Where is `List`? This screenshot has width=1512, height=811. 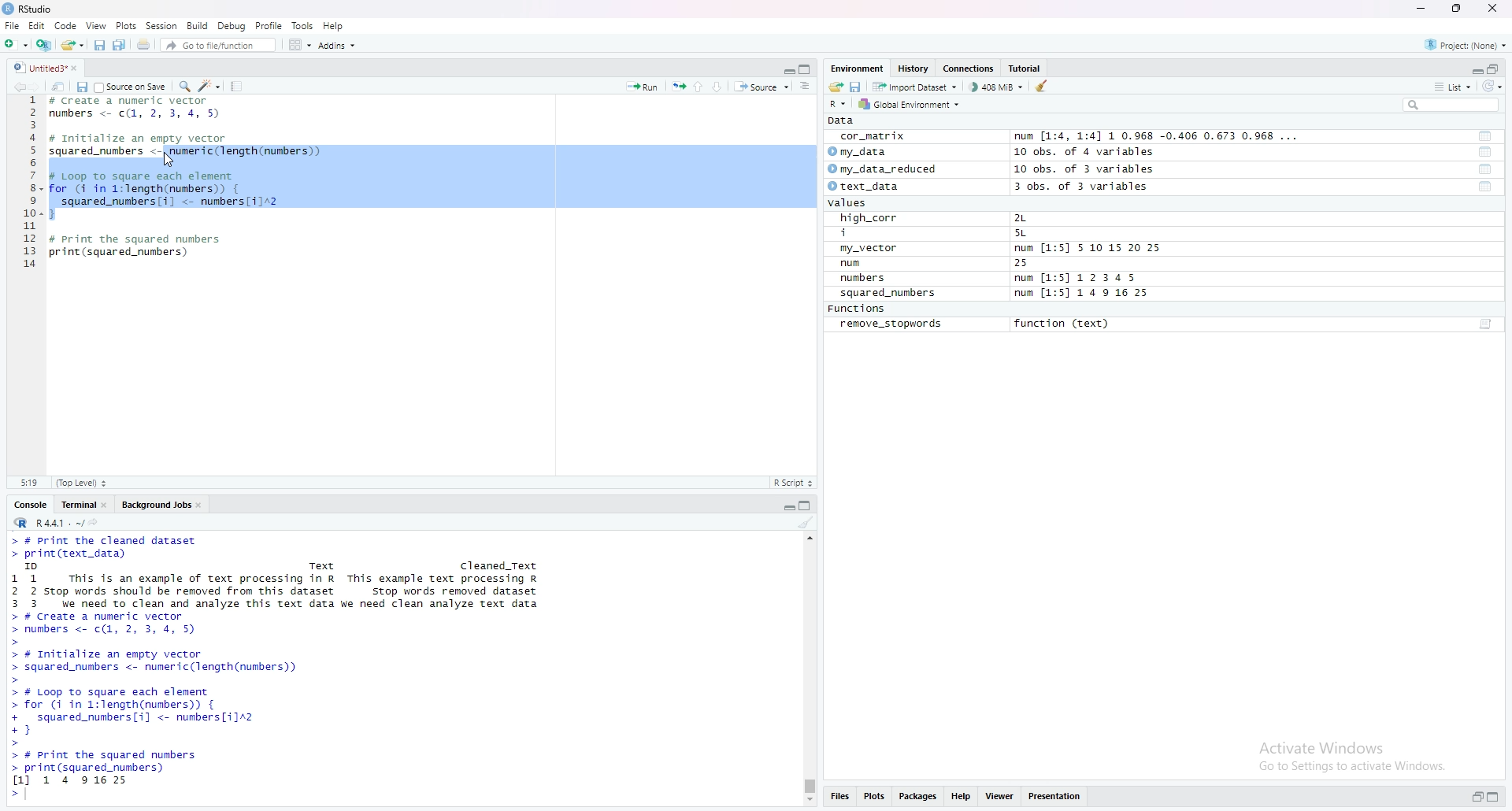
List is located at coordinates (1453, 86).